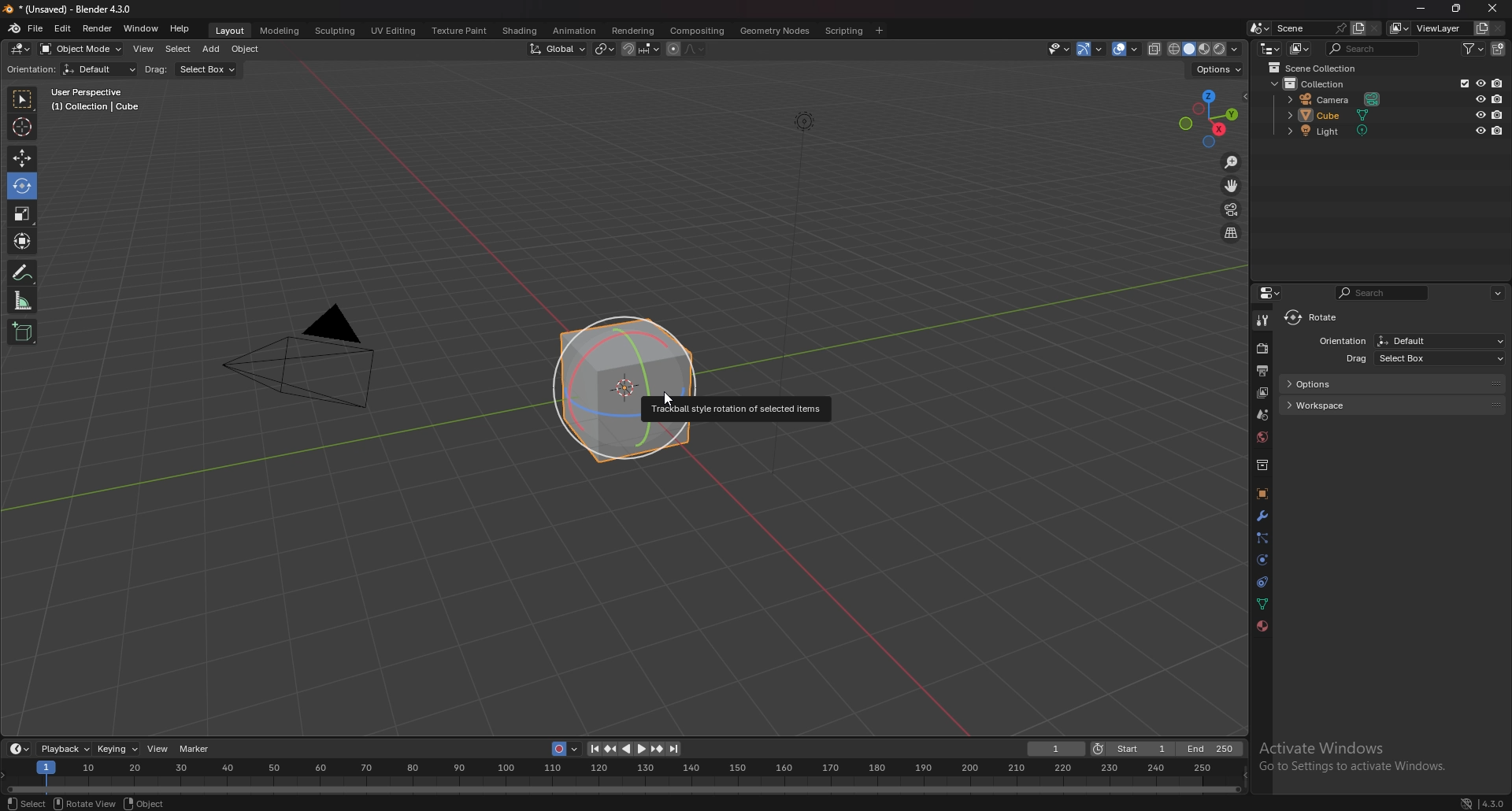 This screenshot has height=811, width=1512. Describe the element at coordinates (96, 100) in the screenshot. I see `User Perspective (1) Collection | Cube` at that location.